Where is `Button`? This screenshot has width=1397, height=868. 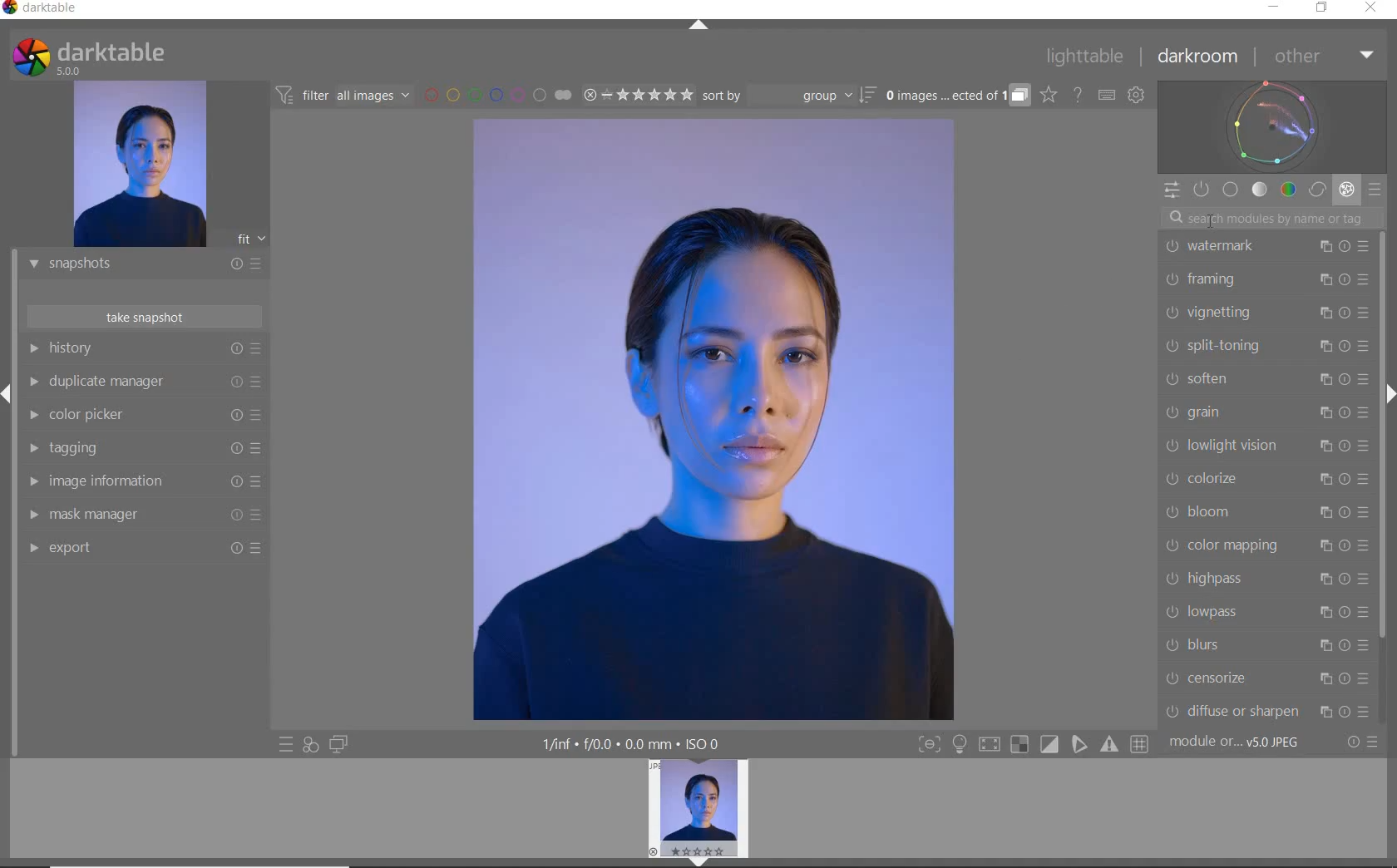 Button is located at coordinates (929, 746).